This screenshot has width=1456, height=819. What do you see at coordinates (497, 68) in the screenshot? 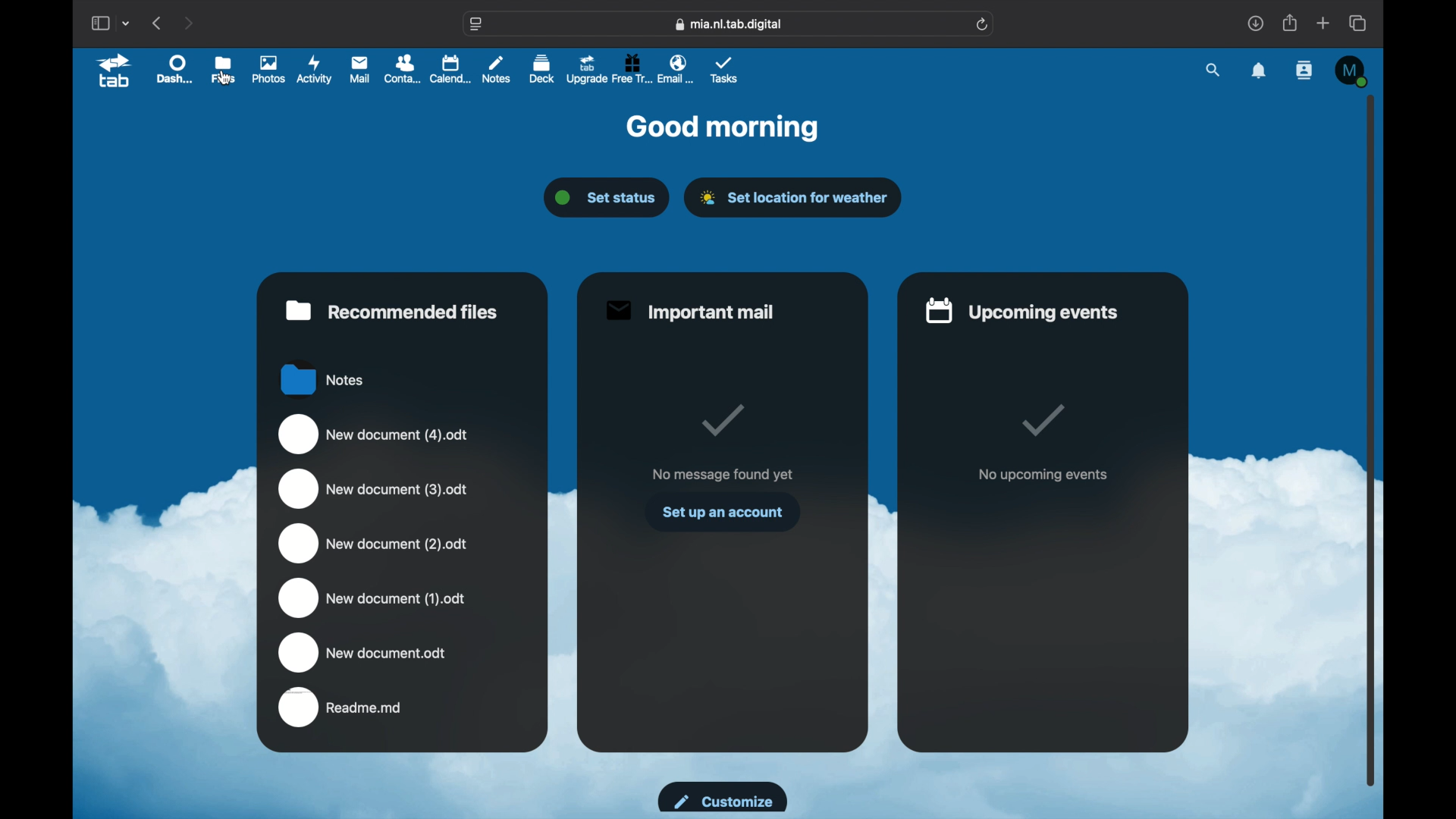
I see `notes` at bounding box center [497, 68].